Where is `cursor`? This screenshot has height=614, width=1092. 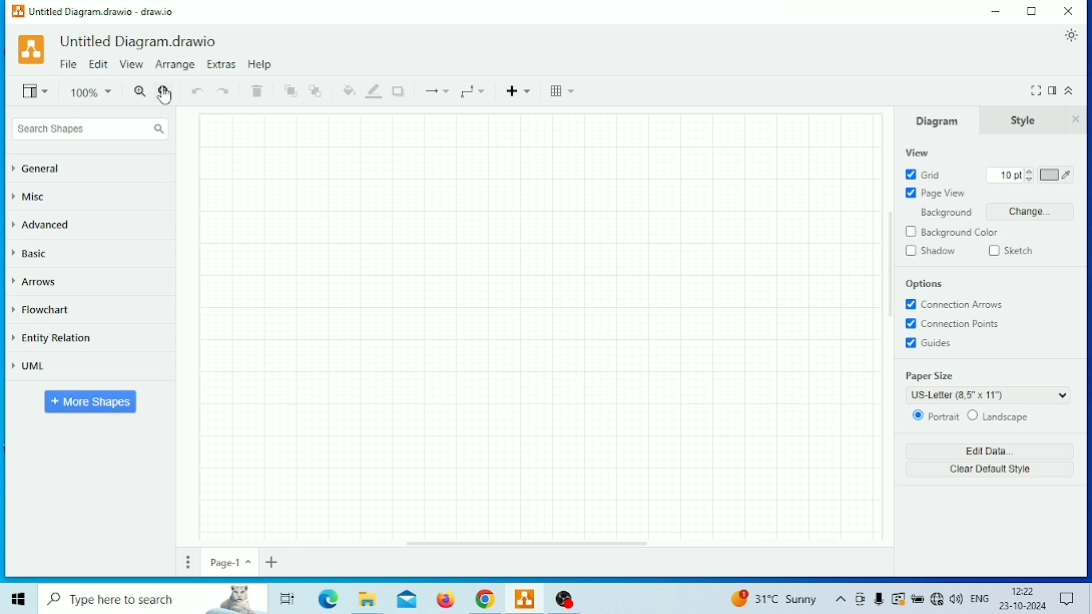
cursor is located at coordinates (164, 96).